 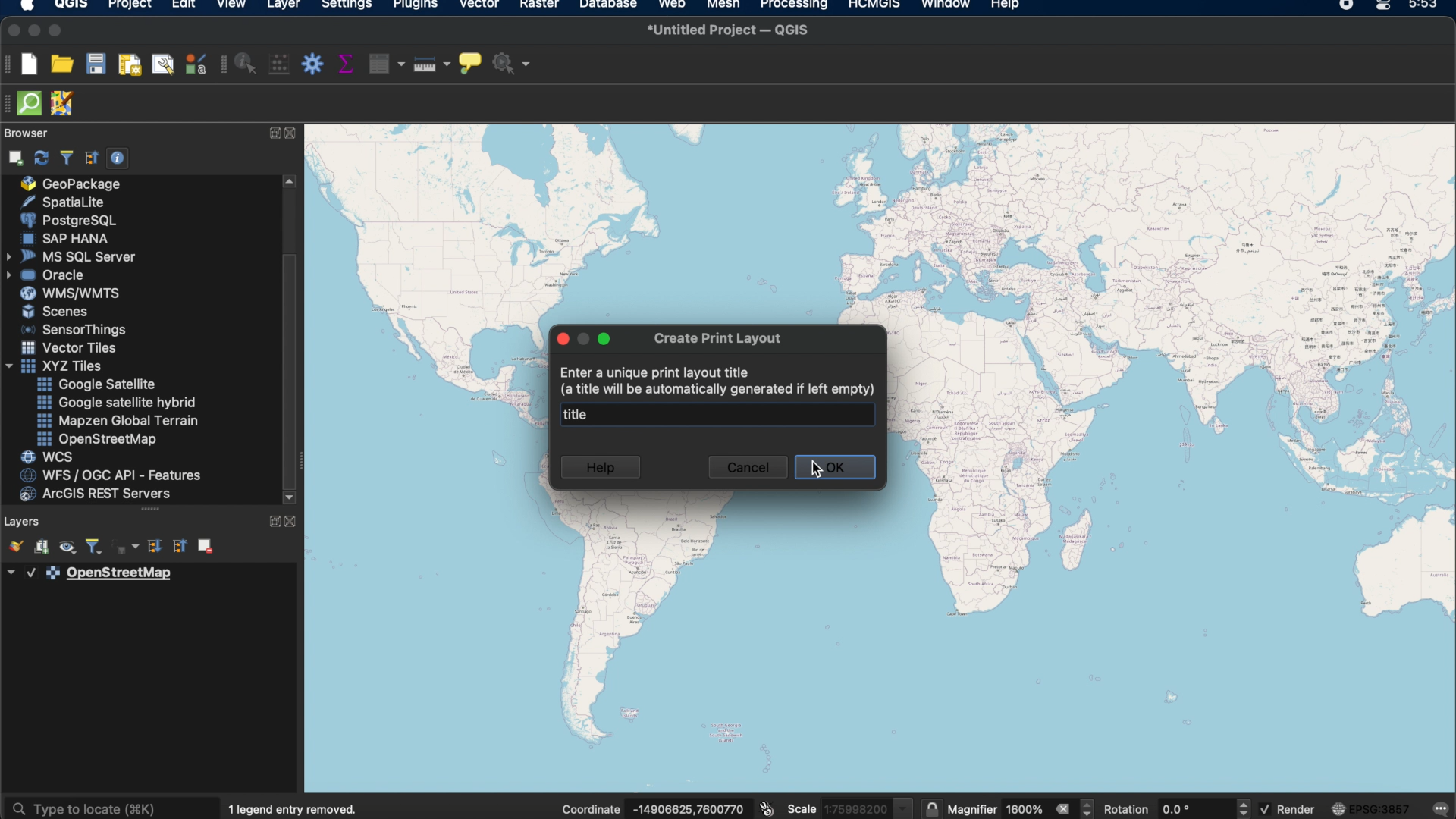 I want to click on JOSM remote, so click(x=64, y=103).